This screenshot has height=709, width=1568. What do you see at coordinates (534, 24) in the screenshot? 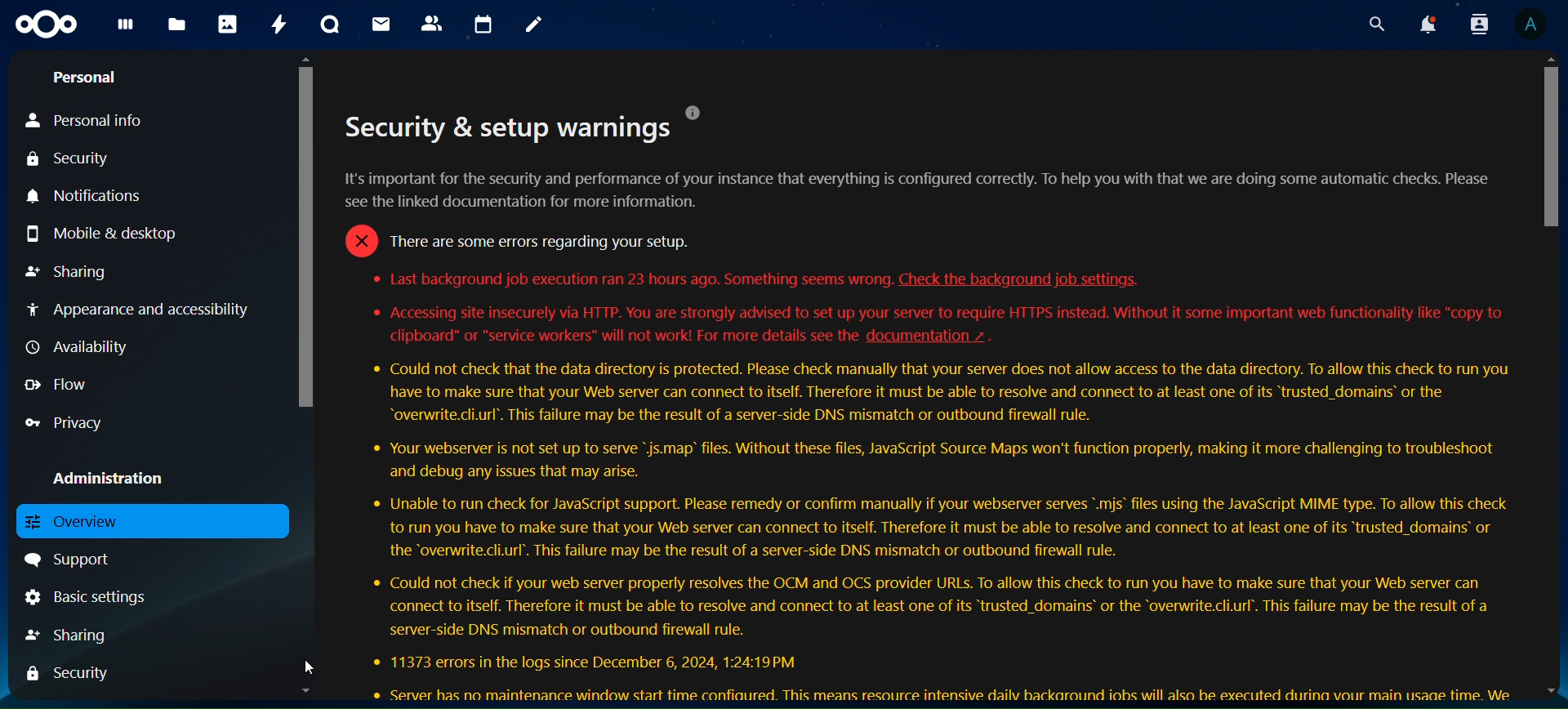
I see `notes` at bounding box center [534, 24].